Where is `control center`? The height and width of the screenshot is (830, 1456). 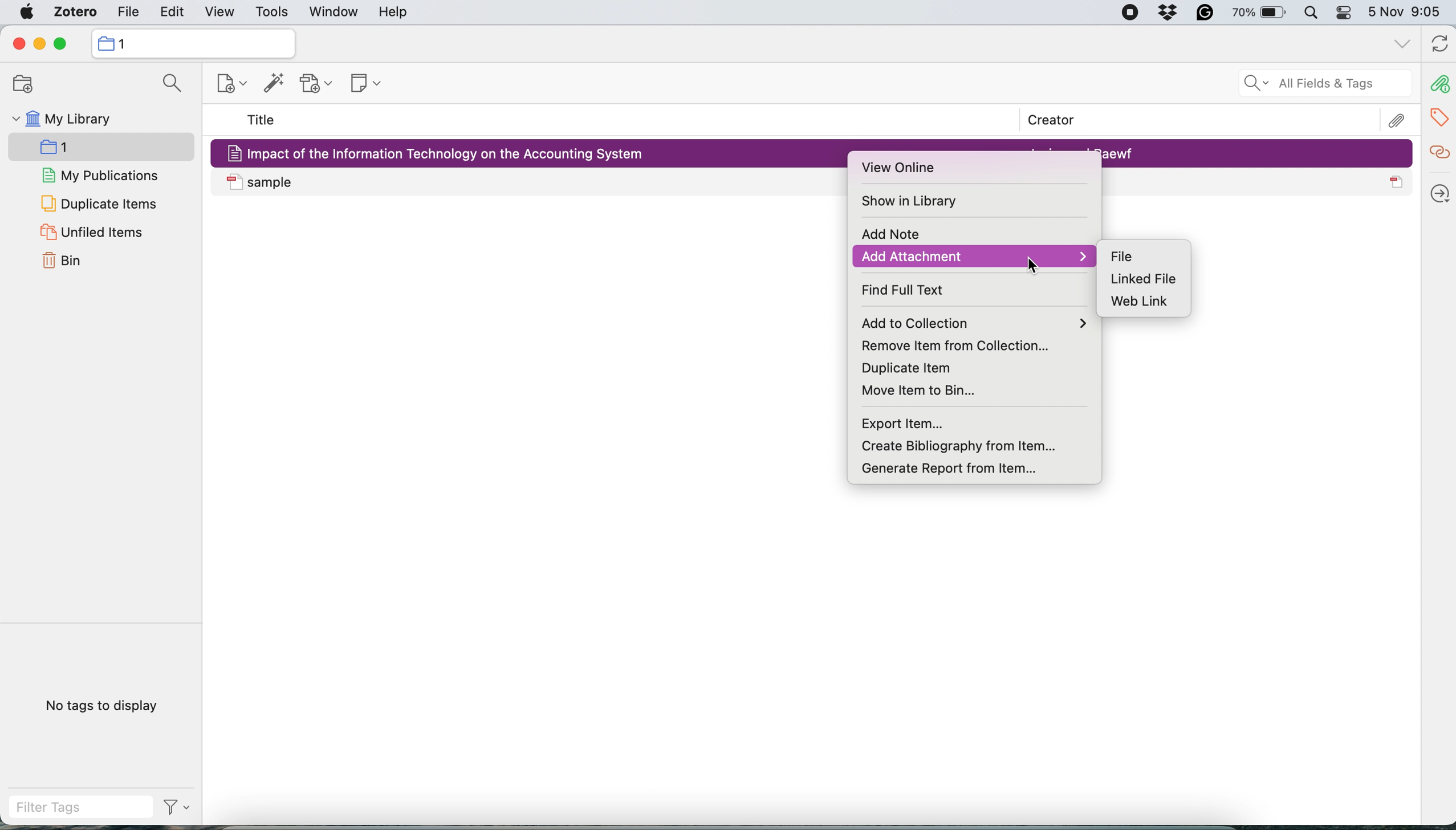 control center is located at coordinates (1344, 15).